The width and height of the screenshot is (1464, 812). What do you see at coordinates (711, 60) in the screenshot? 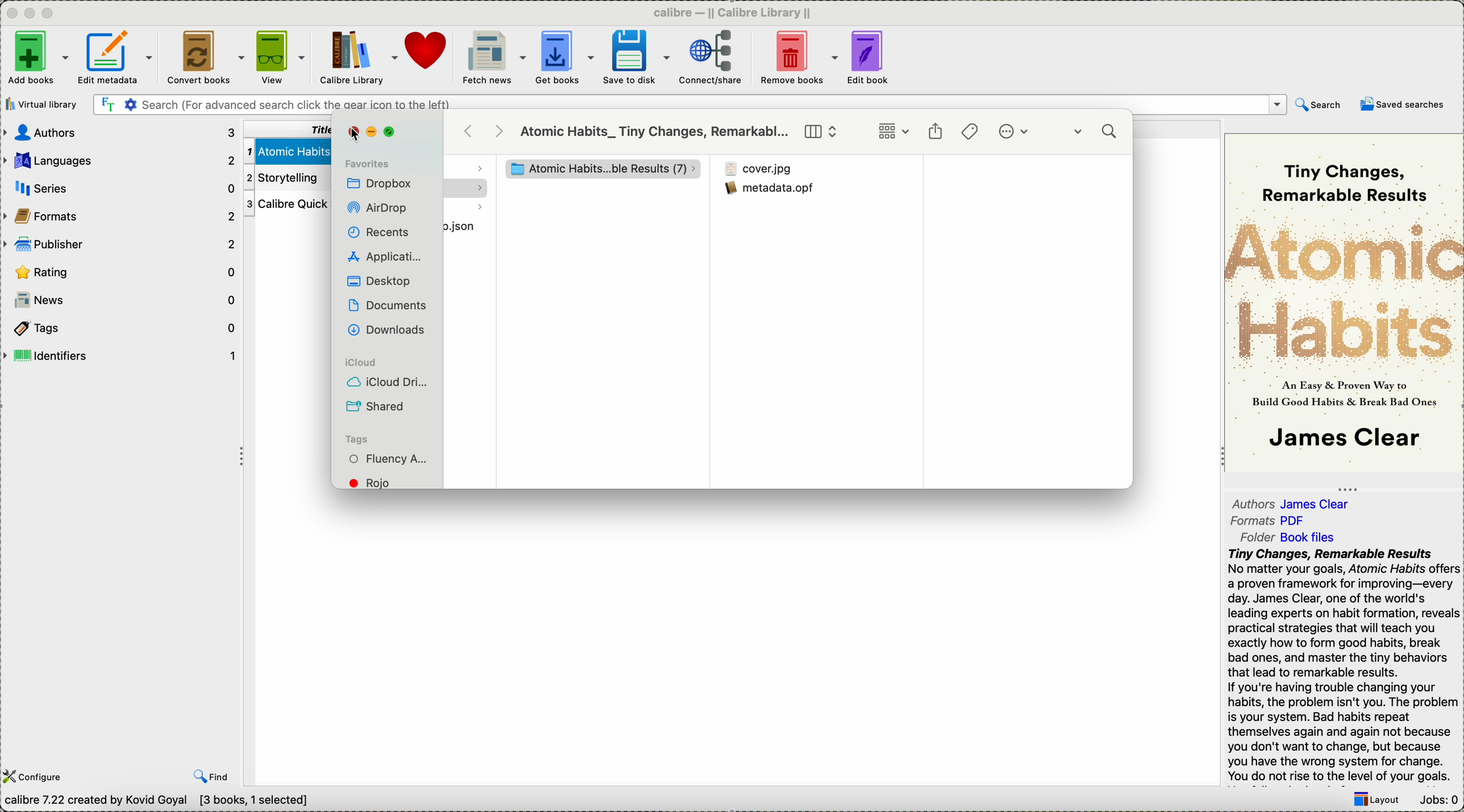
I see `connect/share` at bounding box center [711, 60].